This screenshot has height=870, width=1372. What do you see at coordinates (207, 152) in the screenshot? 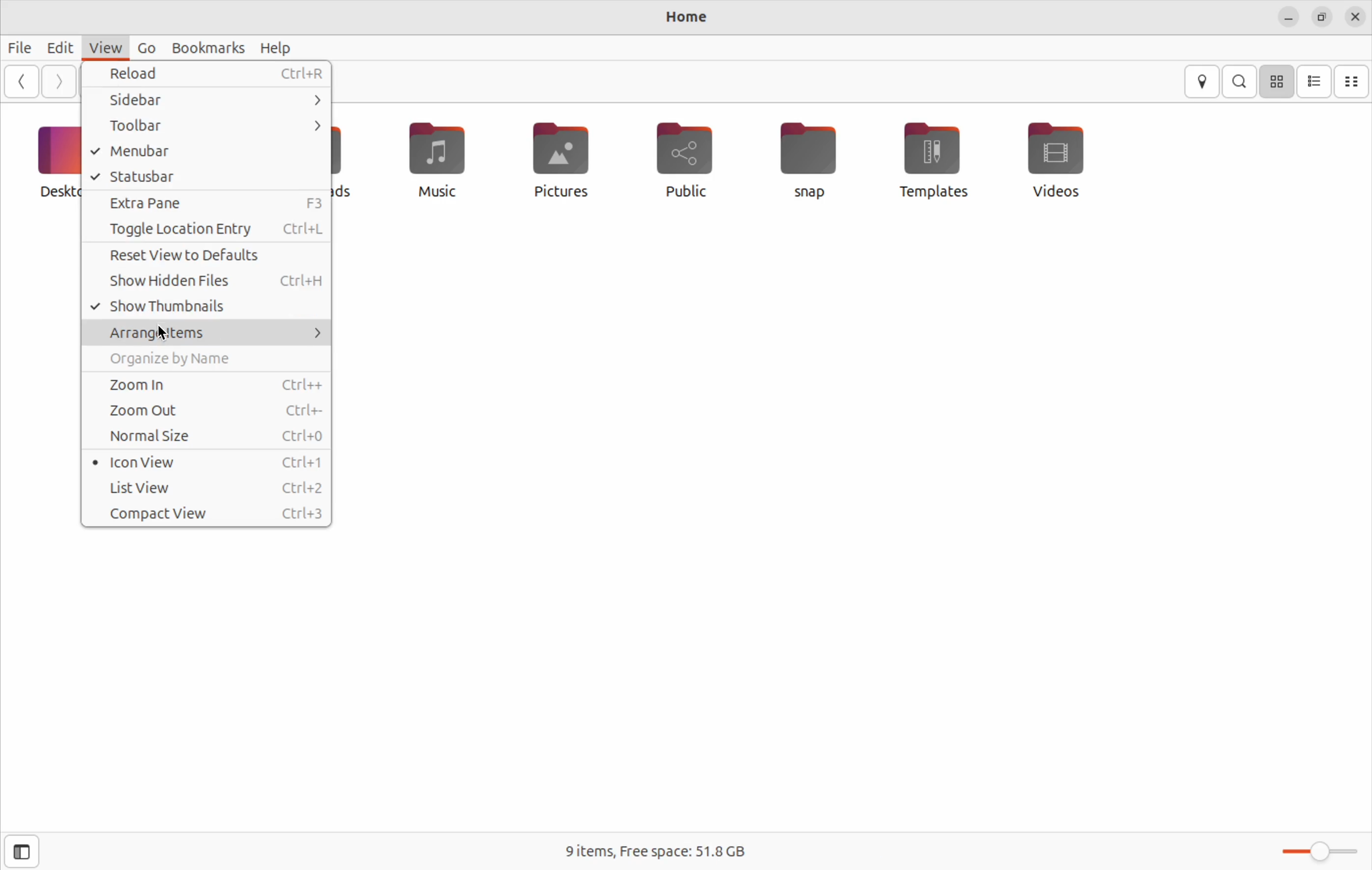
I see `menu bar` at bounding box center [207, 152].